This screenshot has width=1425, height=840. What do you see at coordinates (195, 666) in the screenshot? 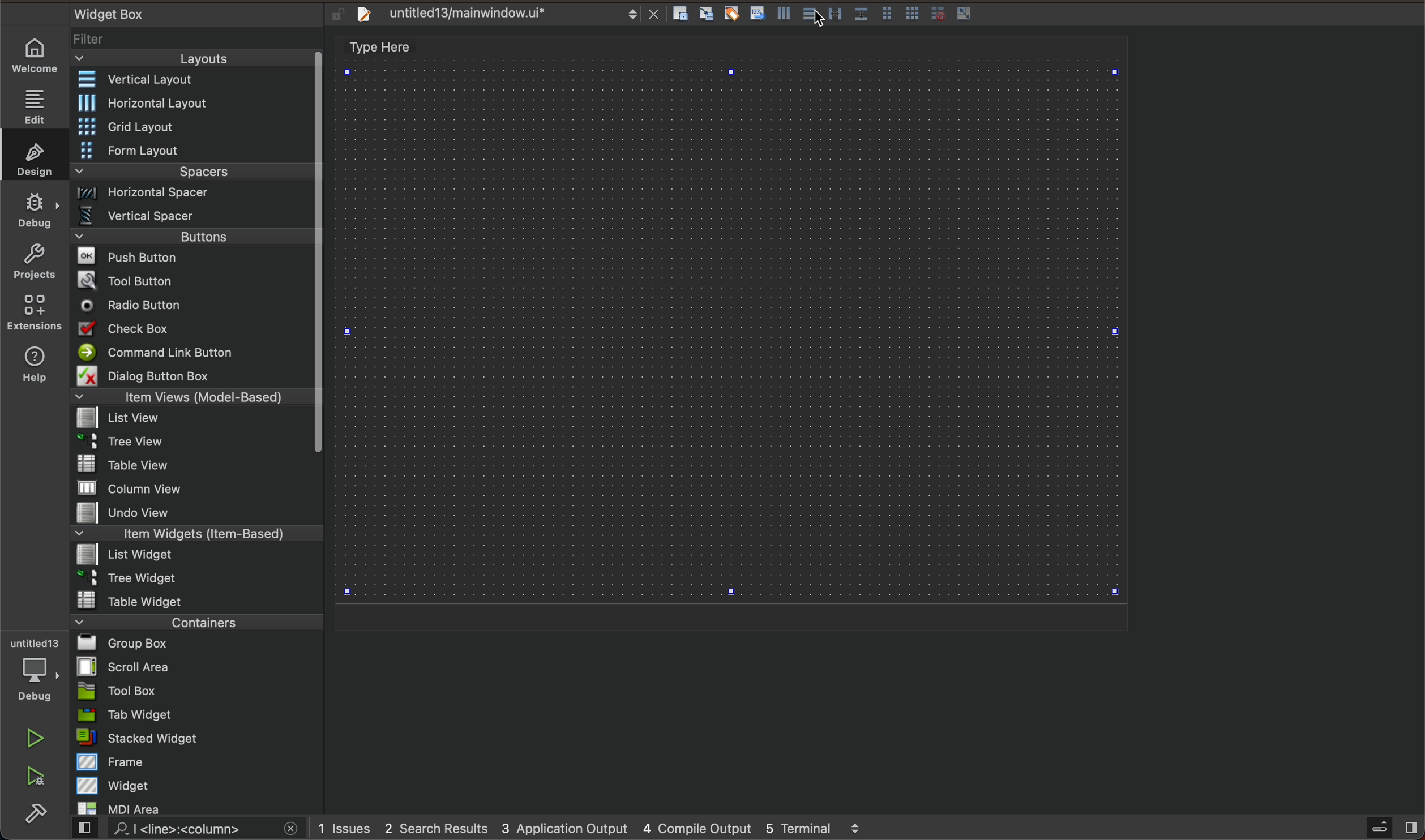
I see `scroll area` at bounding box center [195, 666].